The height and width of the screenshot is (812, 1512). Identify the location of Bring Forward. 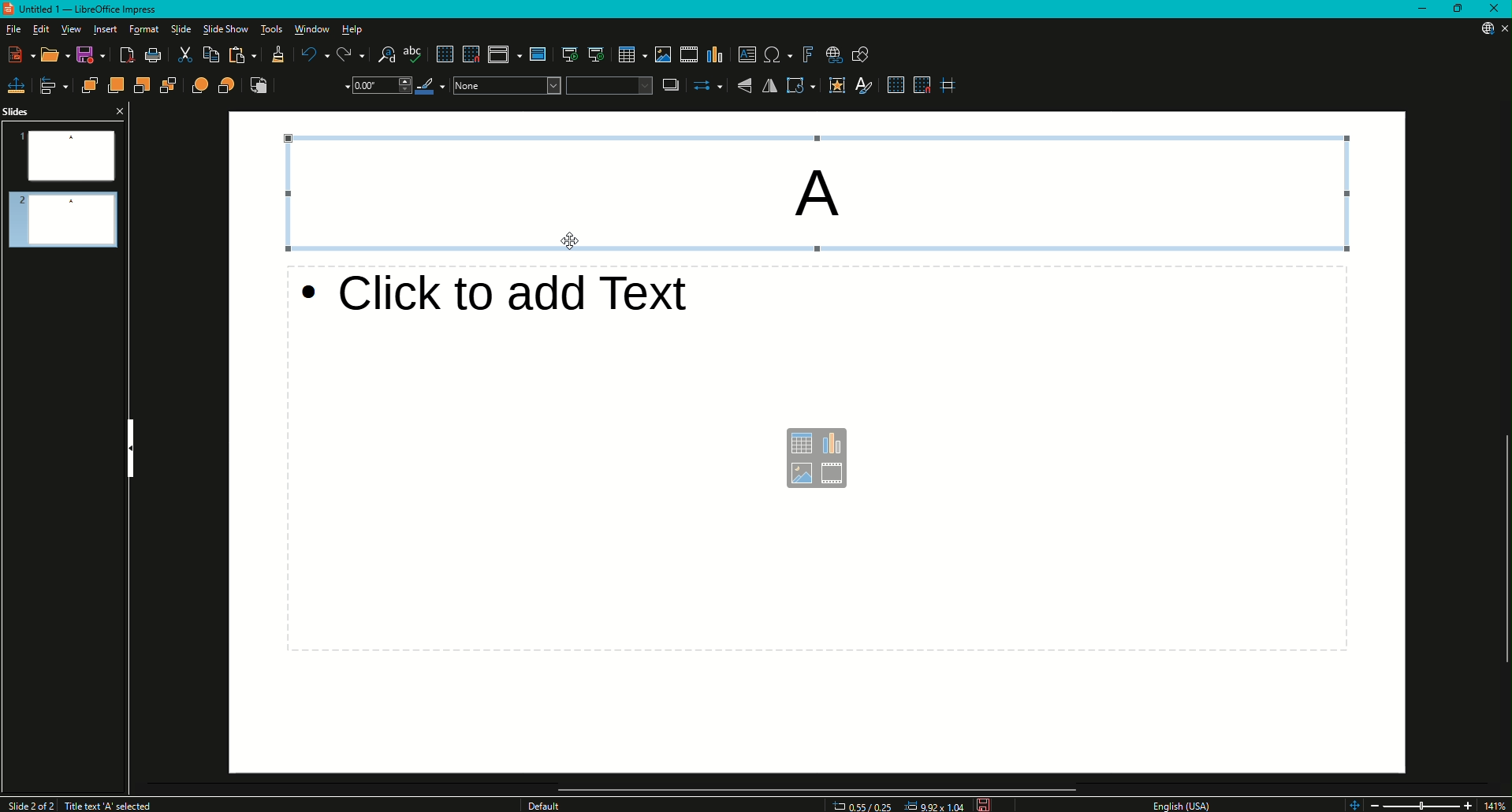
(114, 85).